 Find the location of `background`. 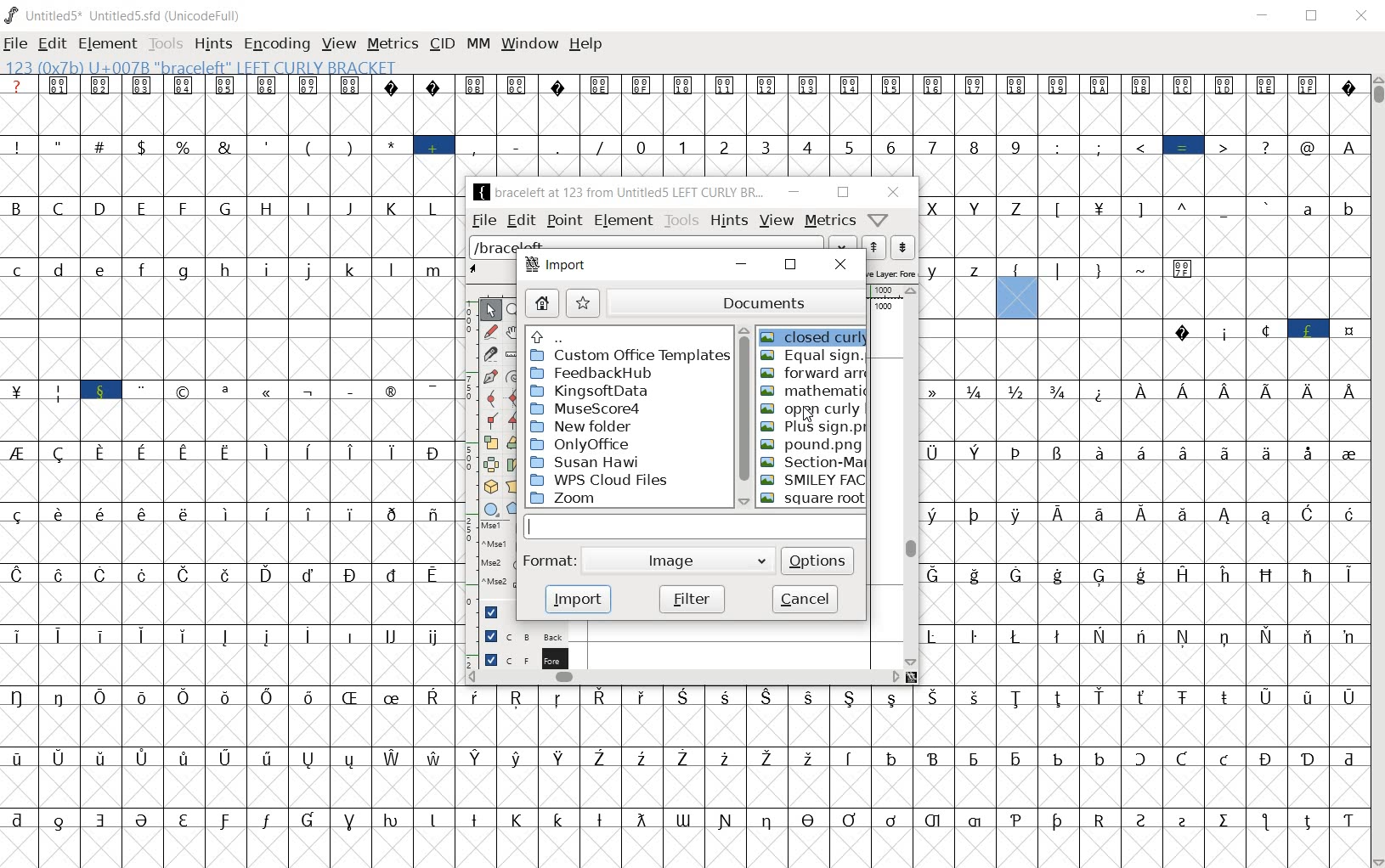

background is located at coordinates (517, 658).